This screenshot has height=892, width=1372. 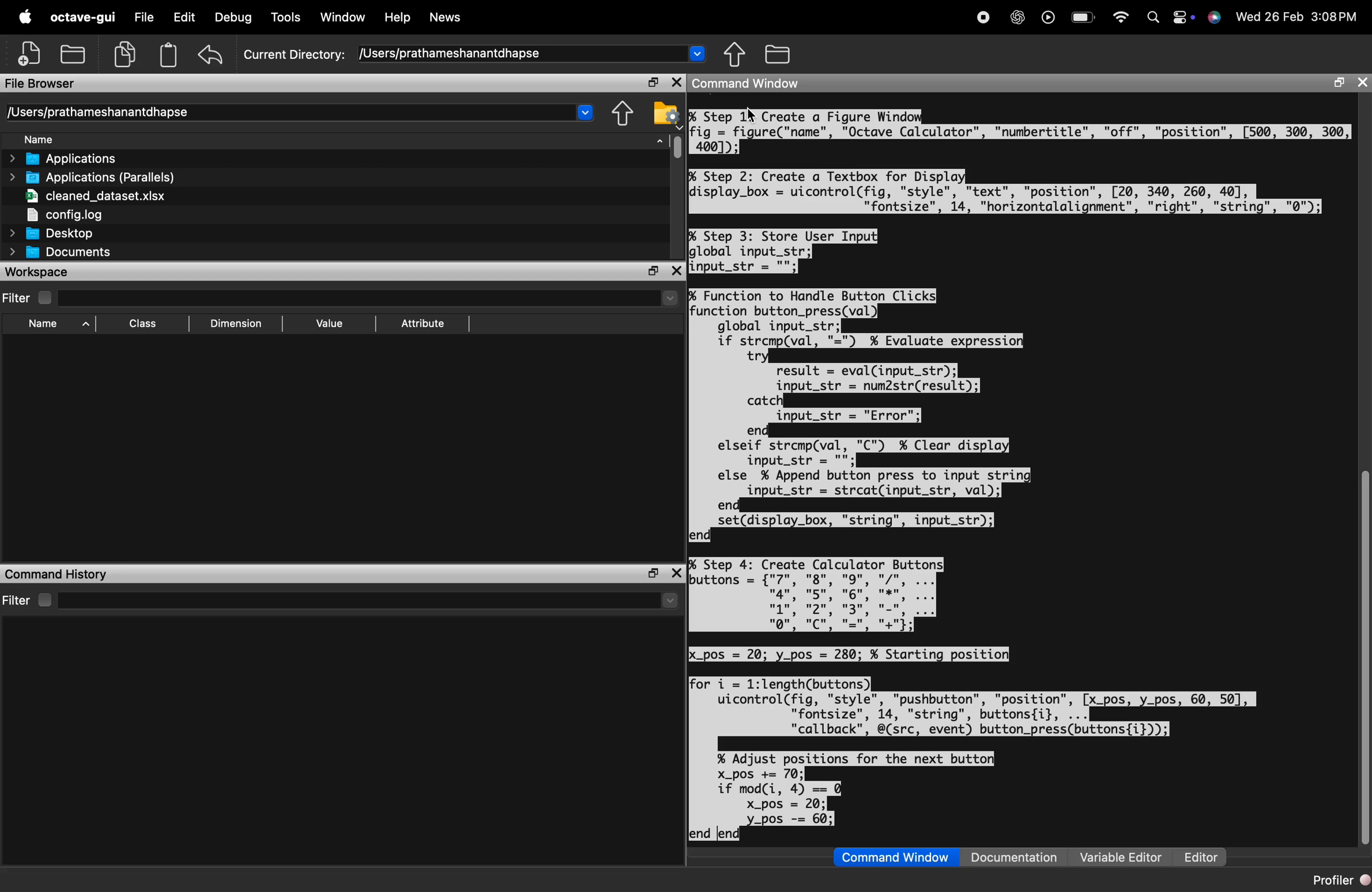 I want to click on 26 Feb, so click(x=1284, y=16).